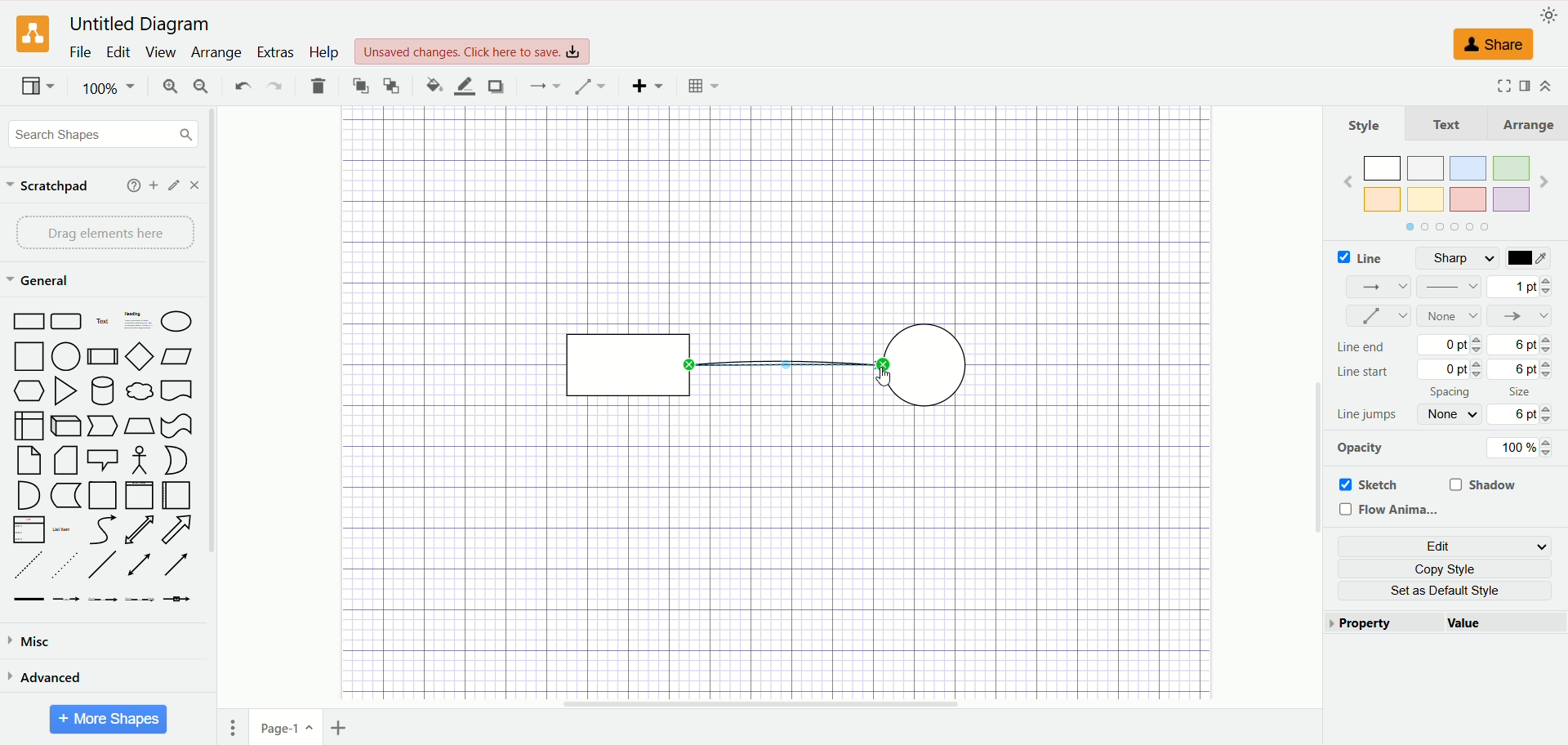  What do you see at coordinates (139, 323) in the screenshot?
I see `Heading with Text` at bounding box center [139, 323].